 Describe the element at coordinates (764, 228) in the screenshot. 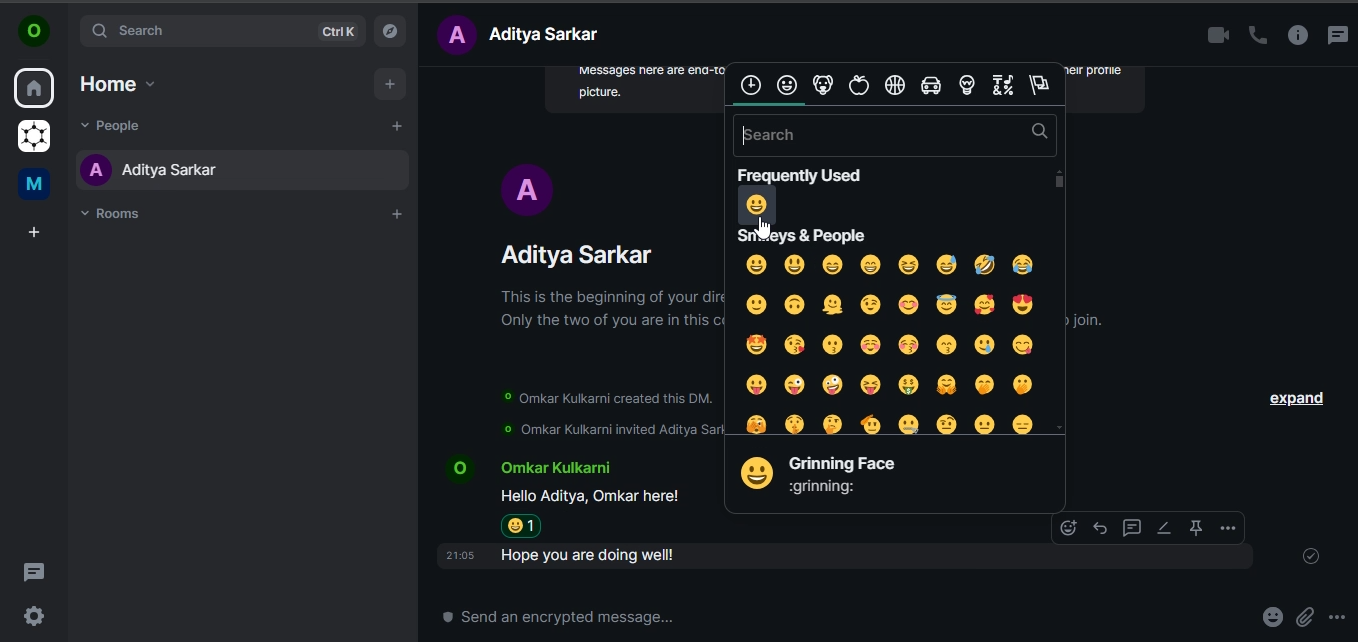

I see `Cursor` at that location.